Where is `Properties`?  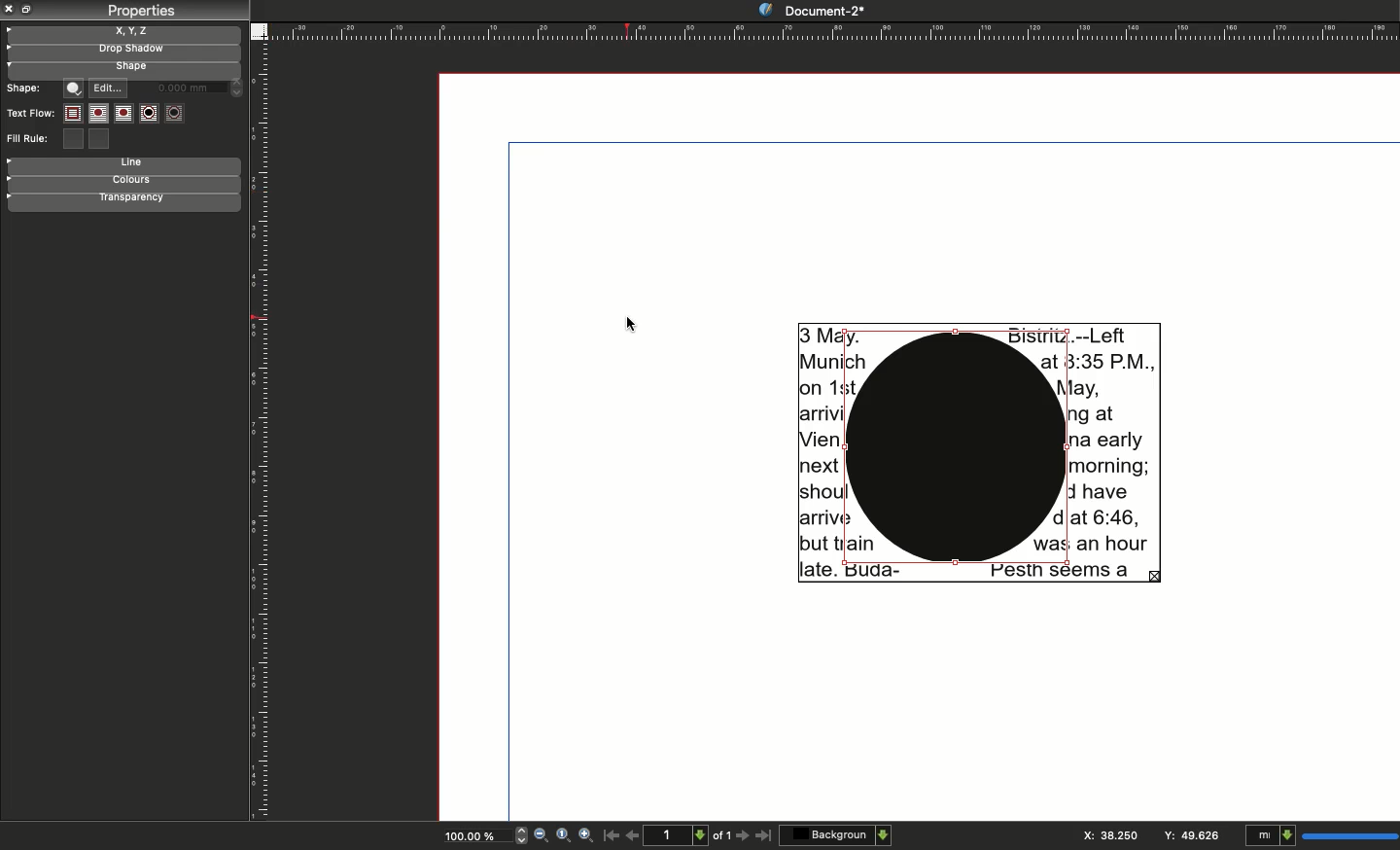 Properties is located at coordinates (137, 12).